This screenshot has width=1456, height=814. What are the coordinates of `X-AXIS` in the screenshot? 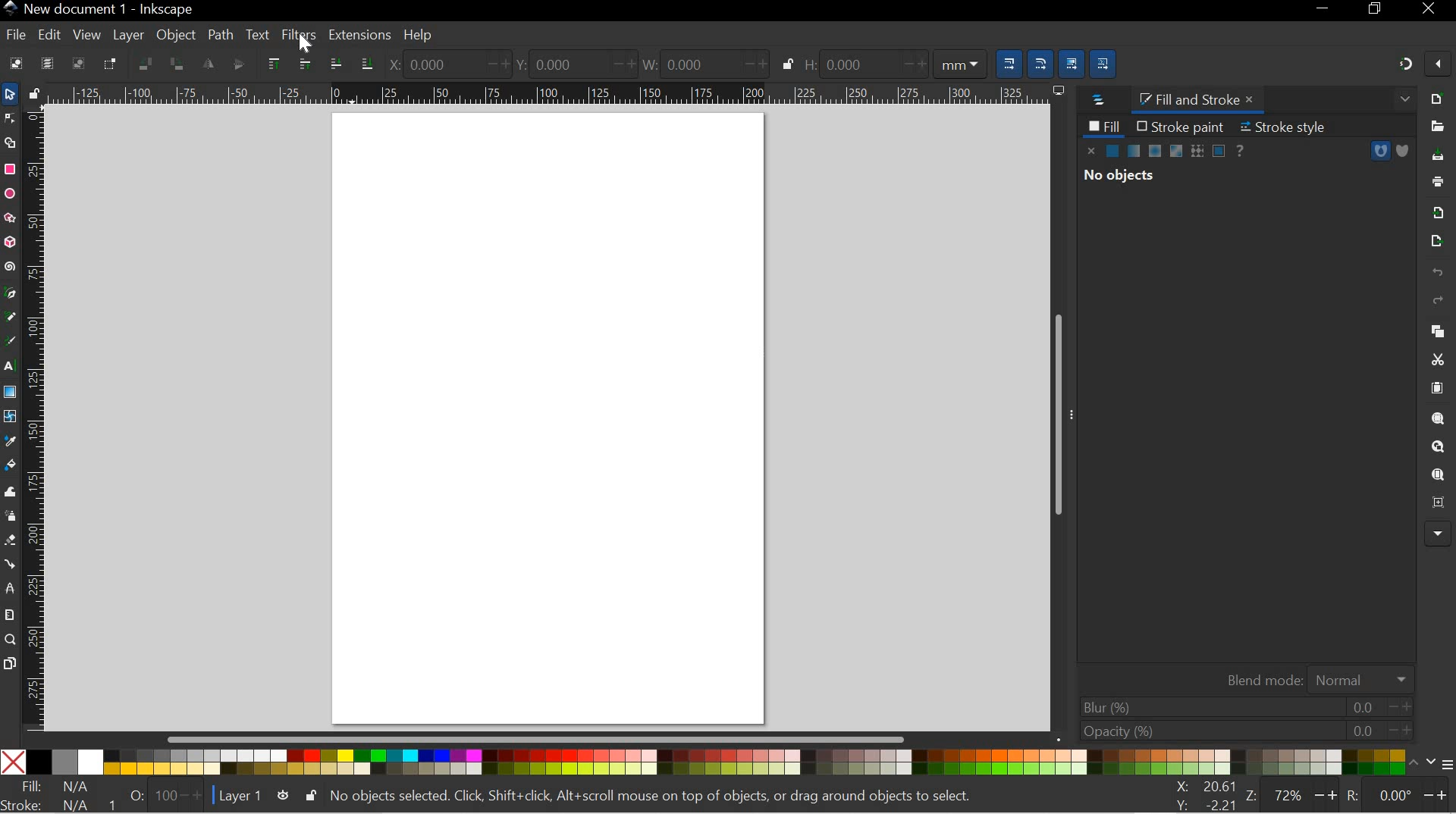 It's located at (446, 64).